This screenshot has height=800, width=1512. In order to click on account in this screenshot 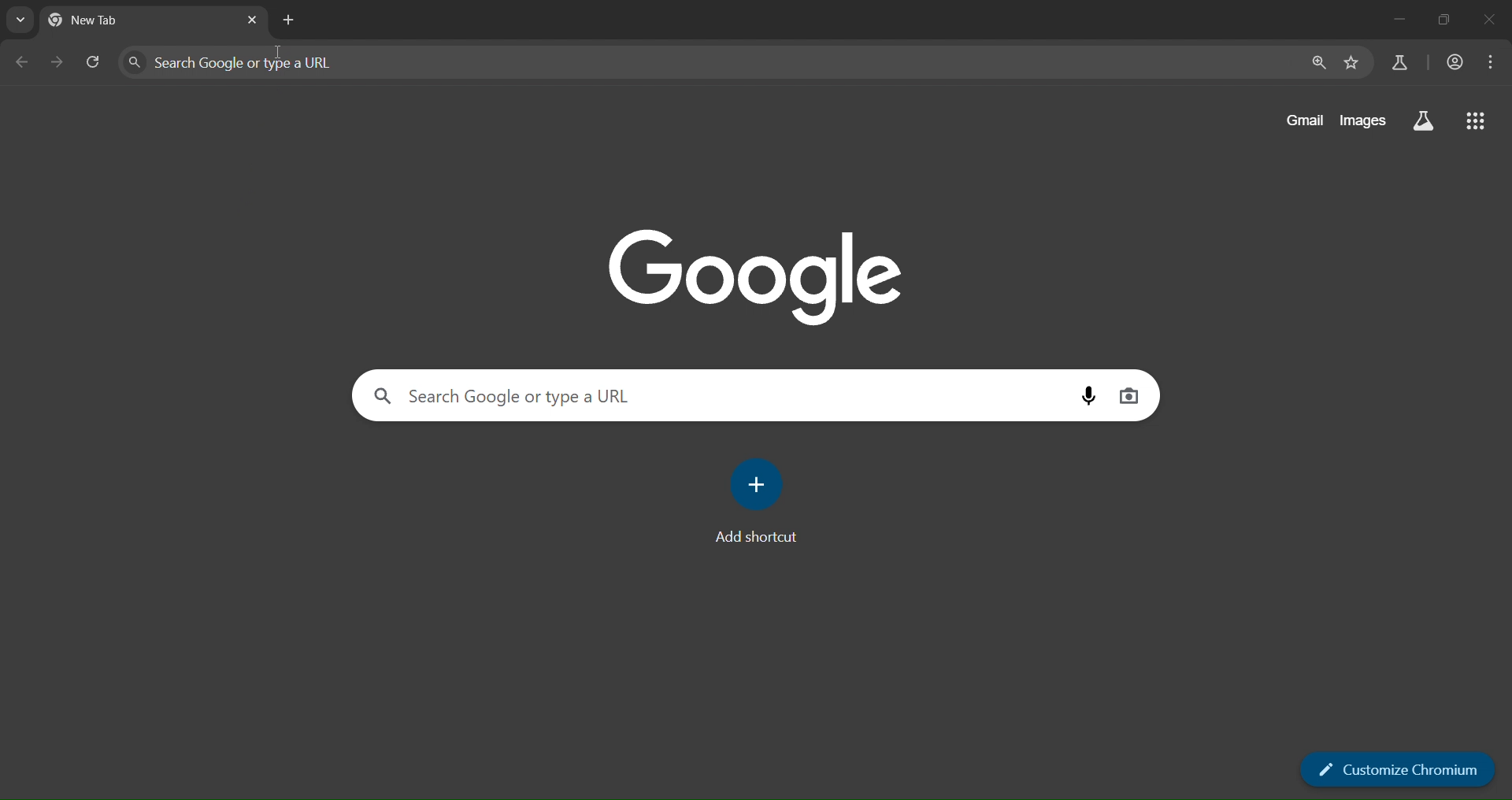, I will do `click(1456, 62)`.